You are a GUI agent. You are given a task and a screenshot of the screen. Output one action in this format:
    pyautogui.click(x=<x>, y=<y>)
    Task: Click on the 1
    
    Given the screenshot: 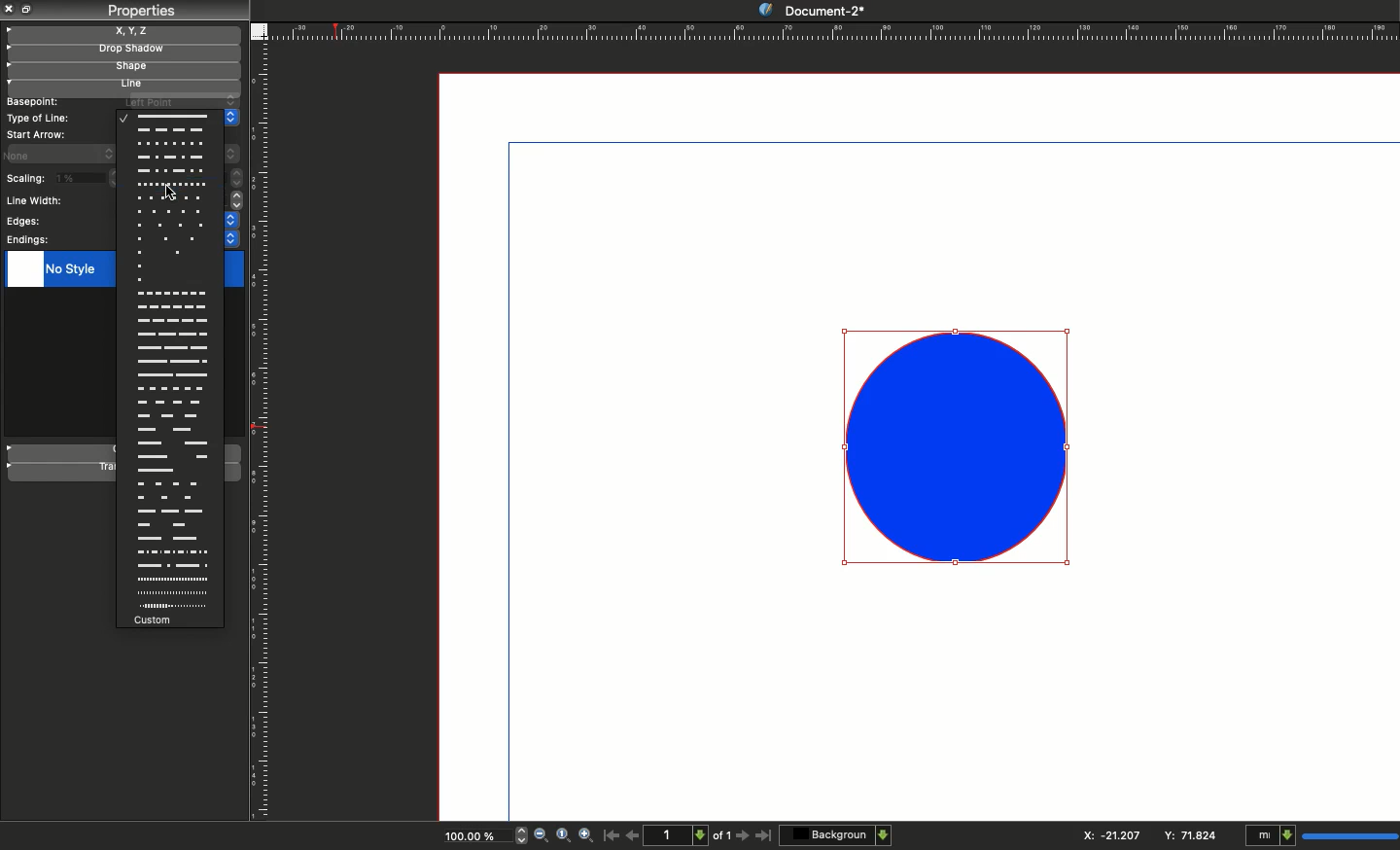 What is the action you would take?
    pyautogui.click(x=679, y=834)
    